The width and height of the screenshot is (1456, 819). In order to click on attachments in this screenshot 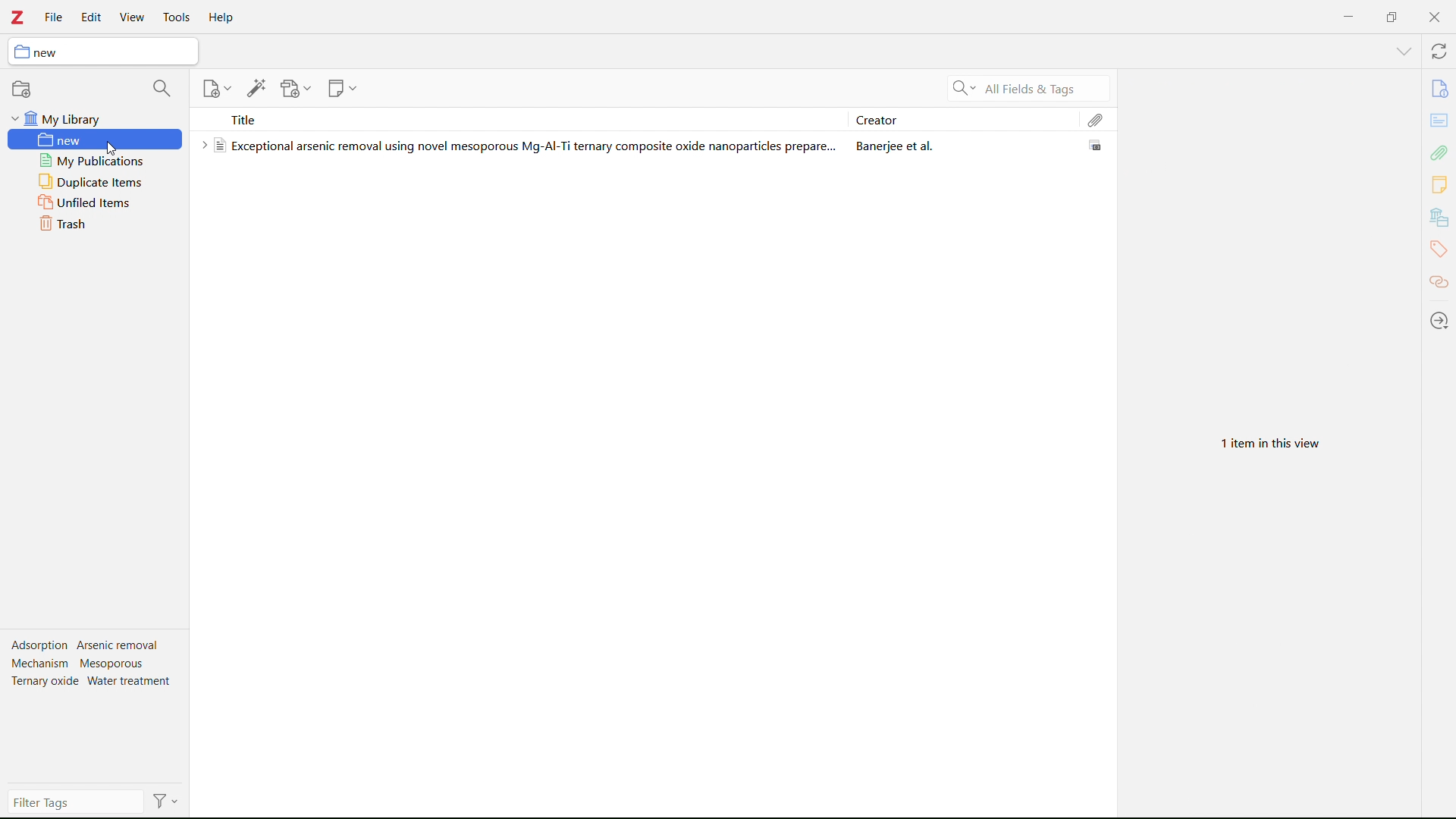, I will do `click(1097, 119)`.